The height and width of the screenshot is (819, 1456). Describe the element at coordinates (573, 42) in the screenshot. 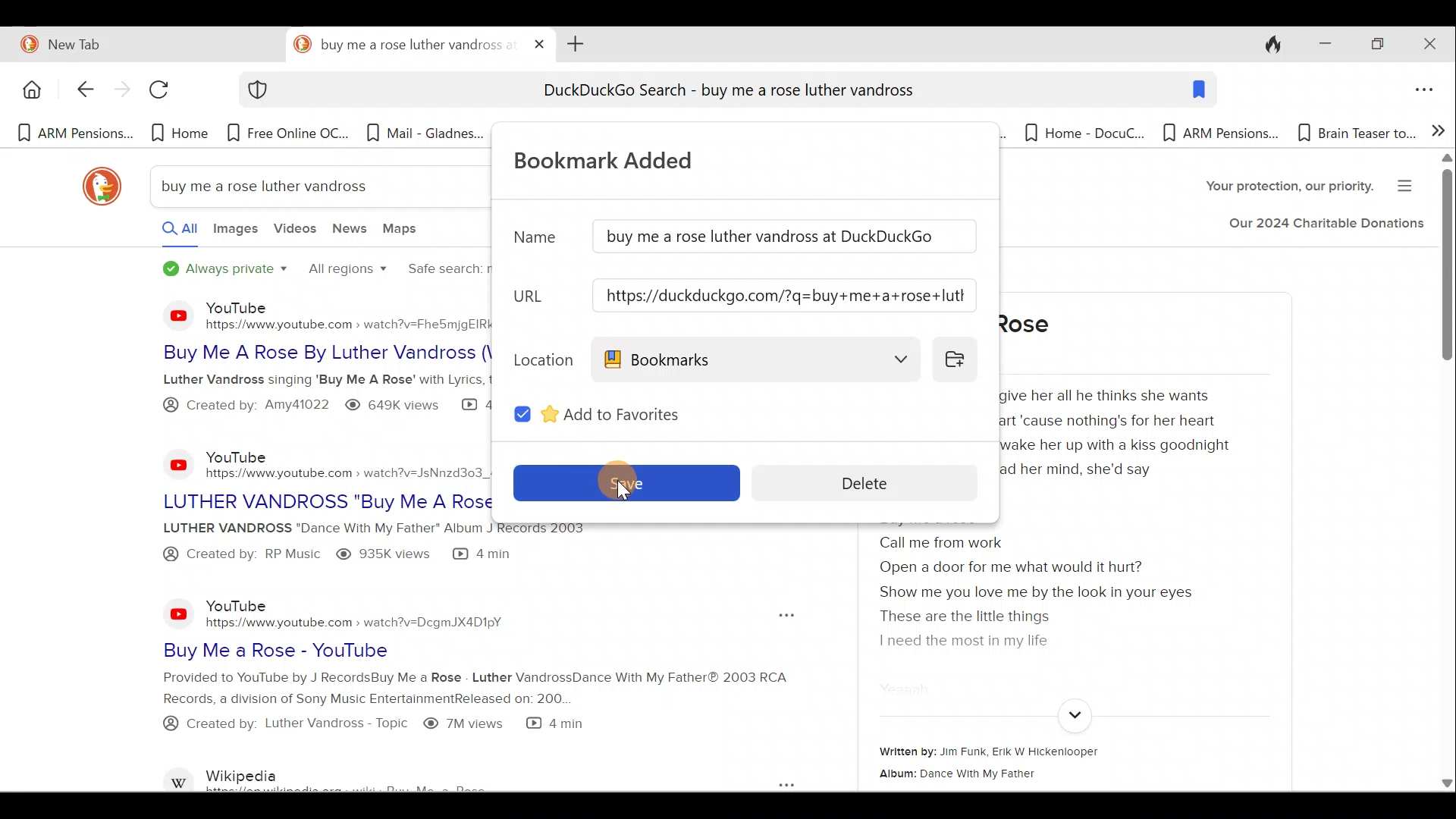

I see `Add new tab` at that location.